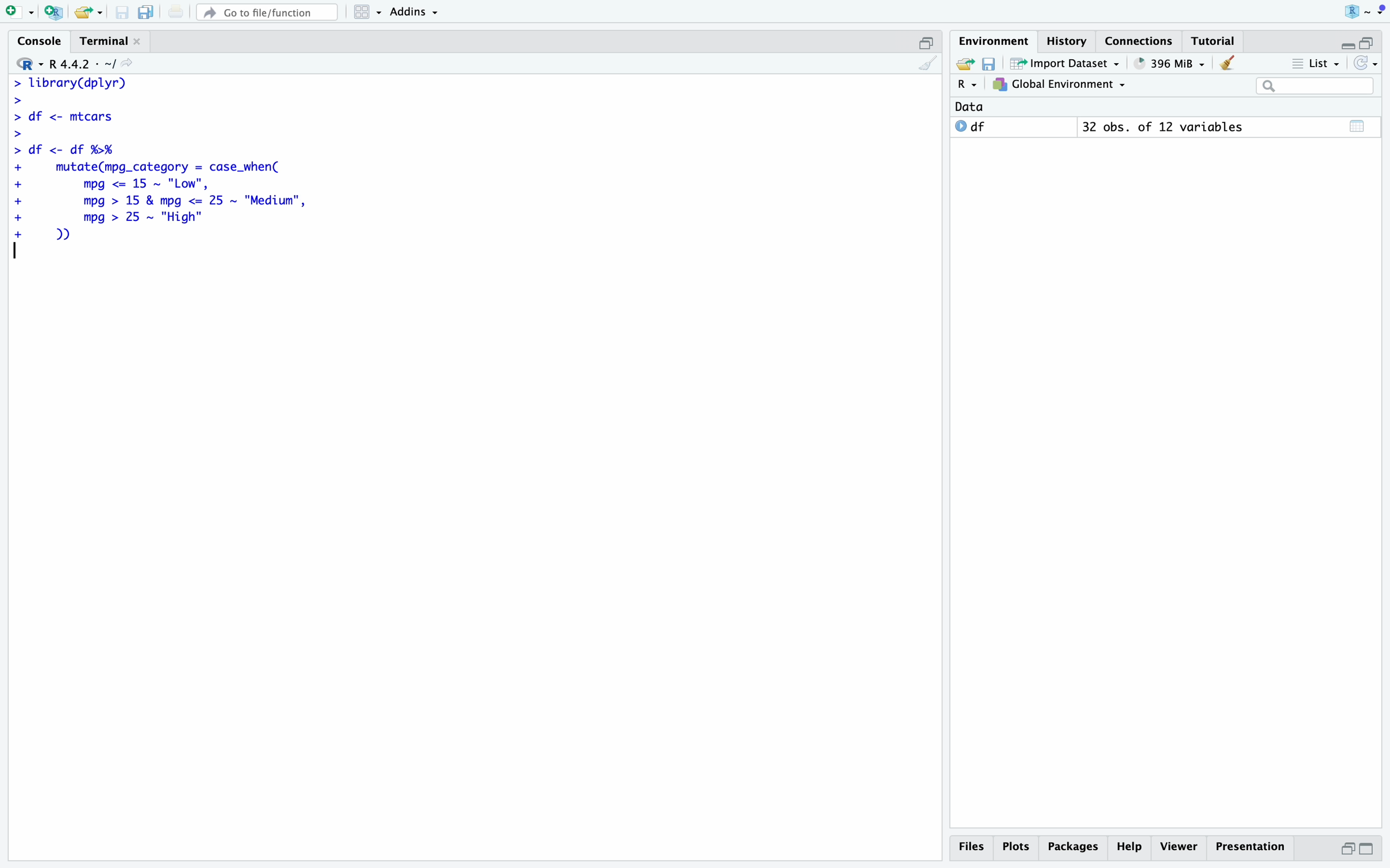  Describe the element at coordinates (42, 40) in the screenshot. I see `console` at that location.